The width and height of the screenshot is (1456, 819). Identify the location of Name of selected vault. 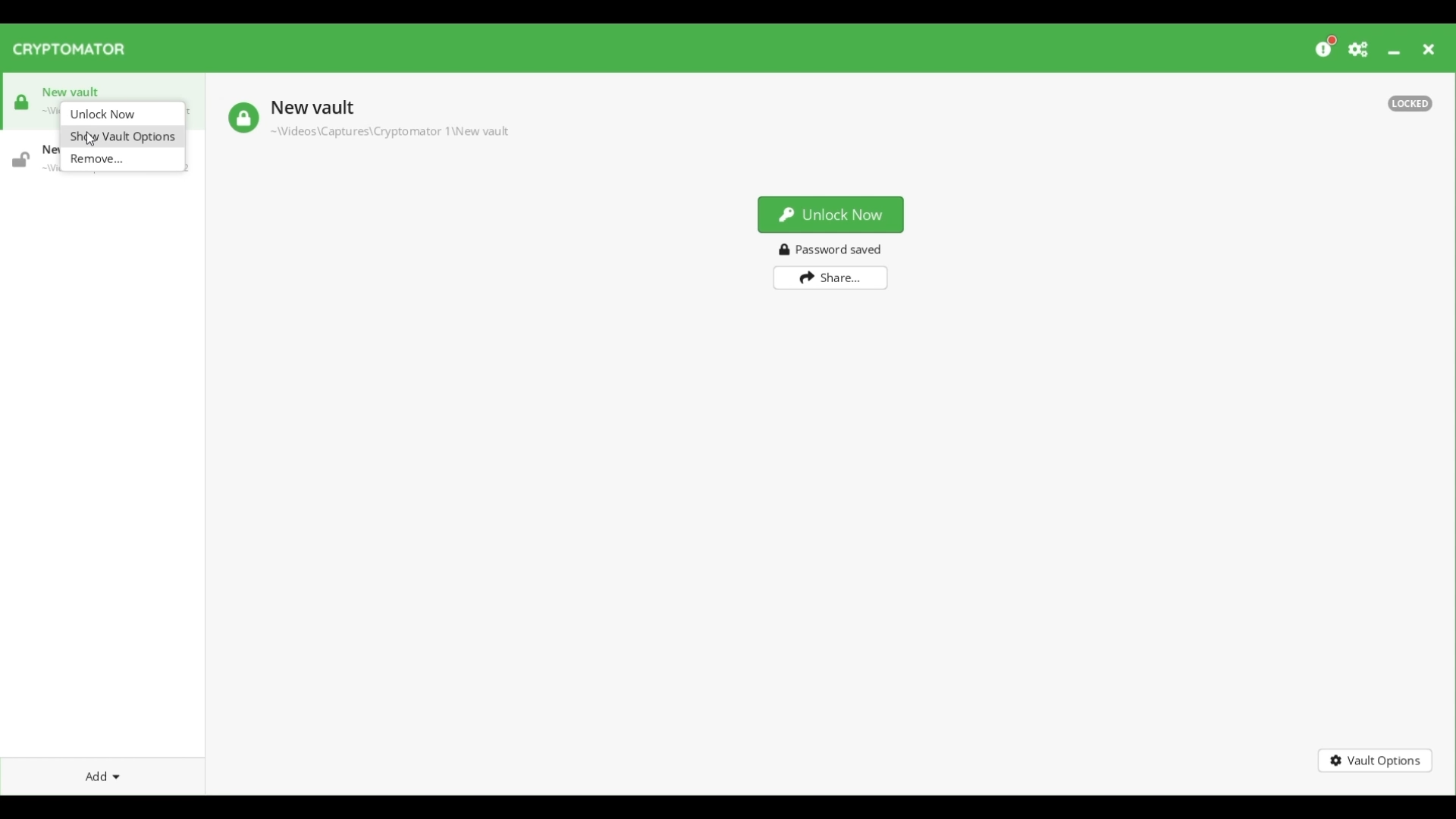
(311, 109).